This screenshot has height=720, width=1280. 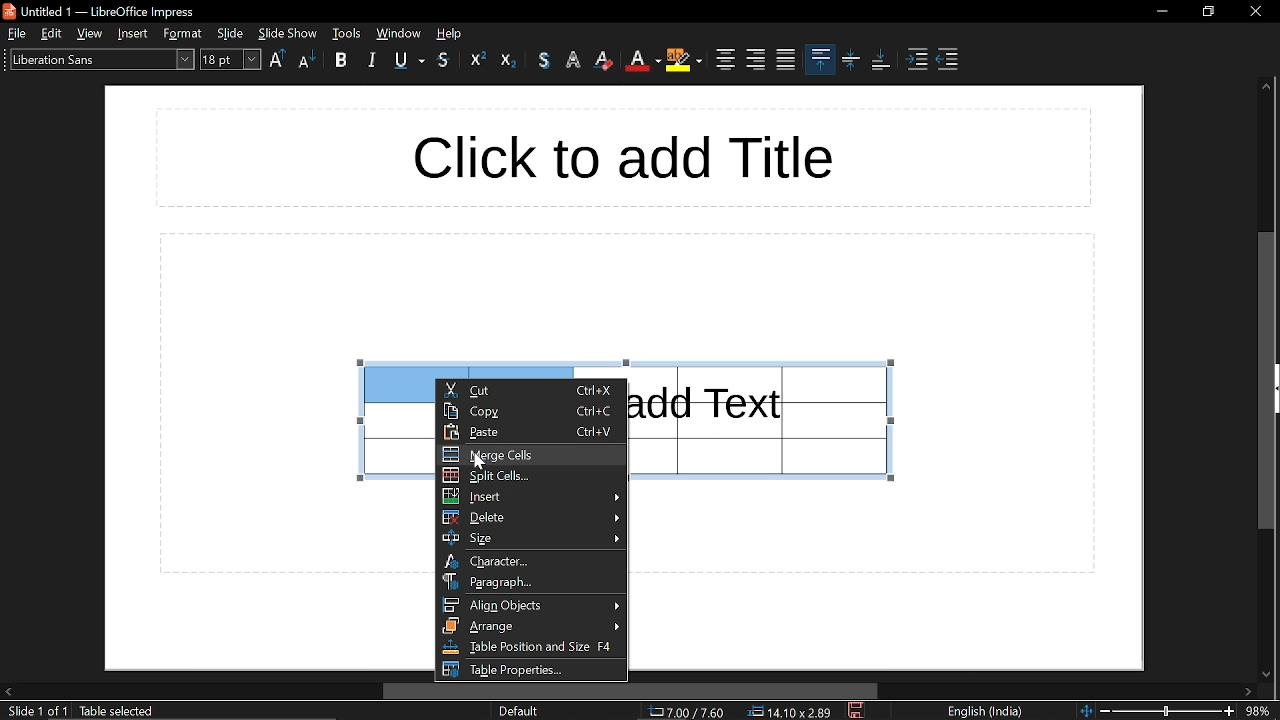 I want to click on expand sidebar, so click(x=1276, y=388).